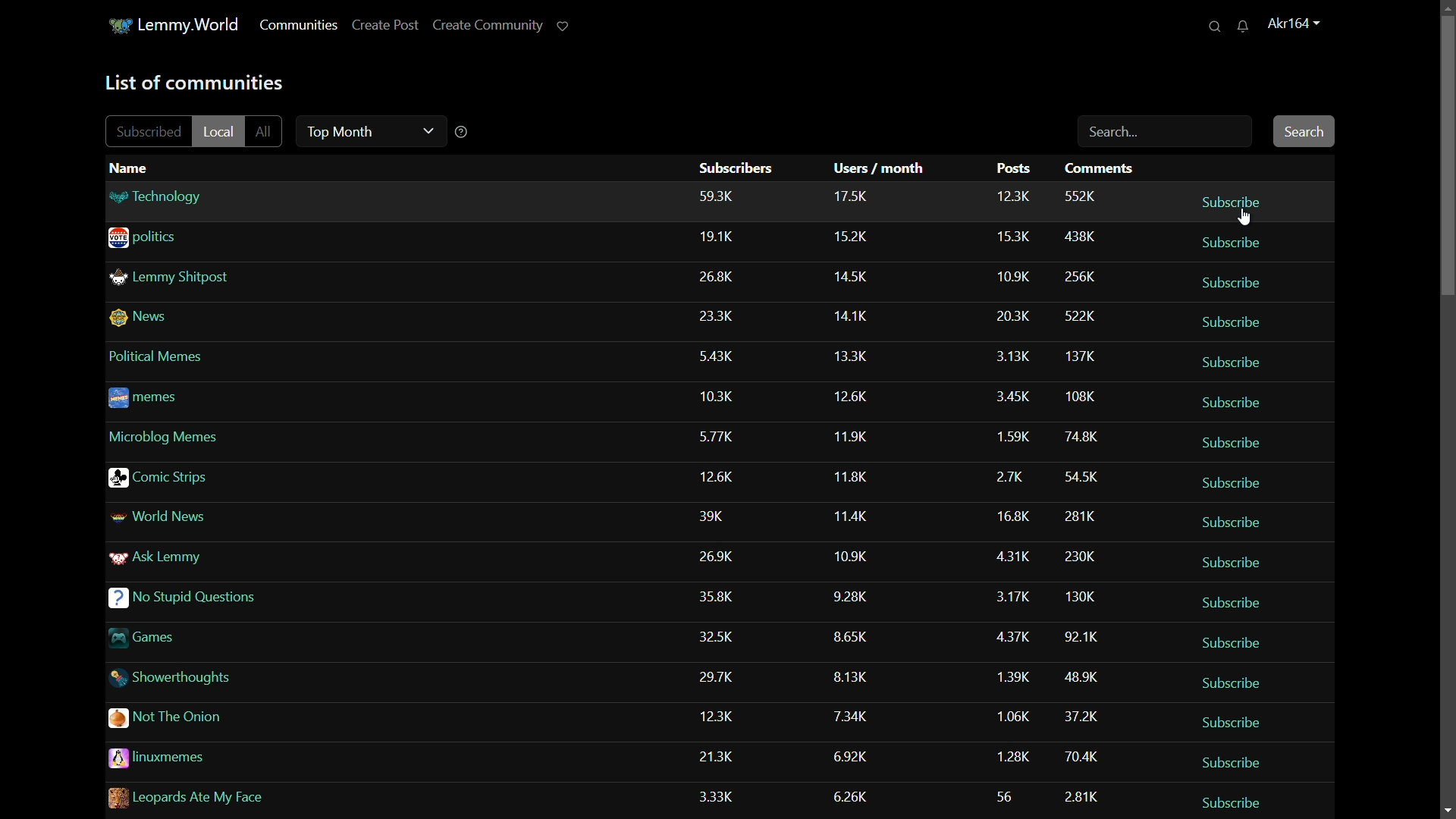  Describe the element at coordinates (1012, 595) in the screenshot. I see `posts` at that location.